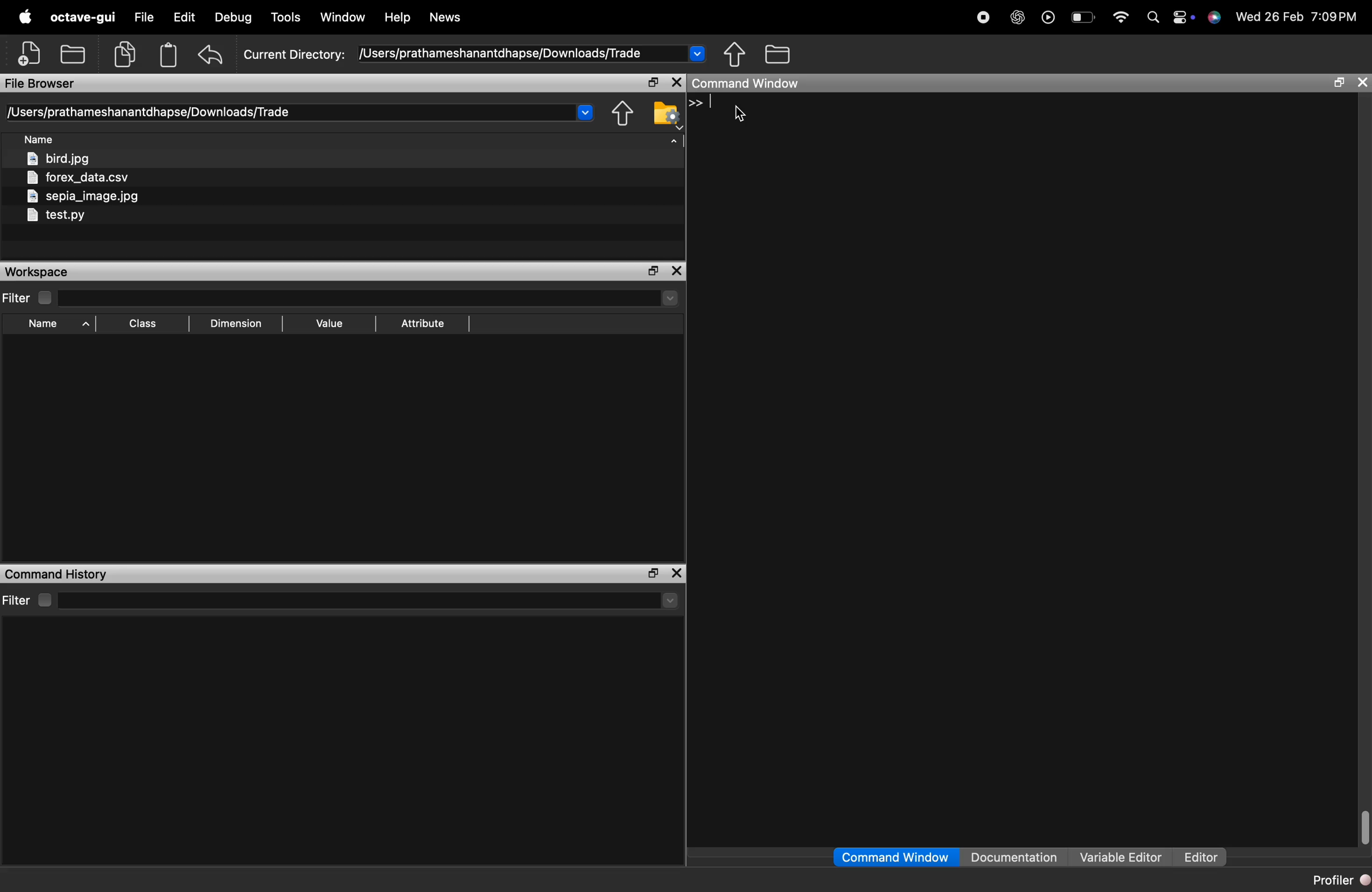  Describe the element at coordinates (446, 18) in the screenshot. I see `news` at that location.